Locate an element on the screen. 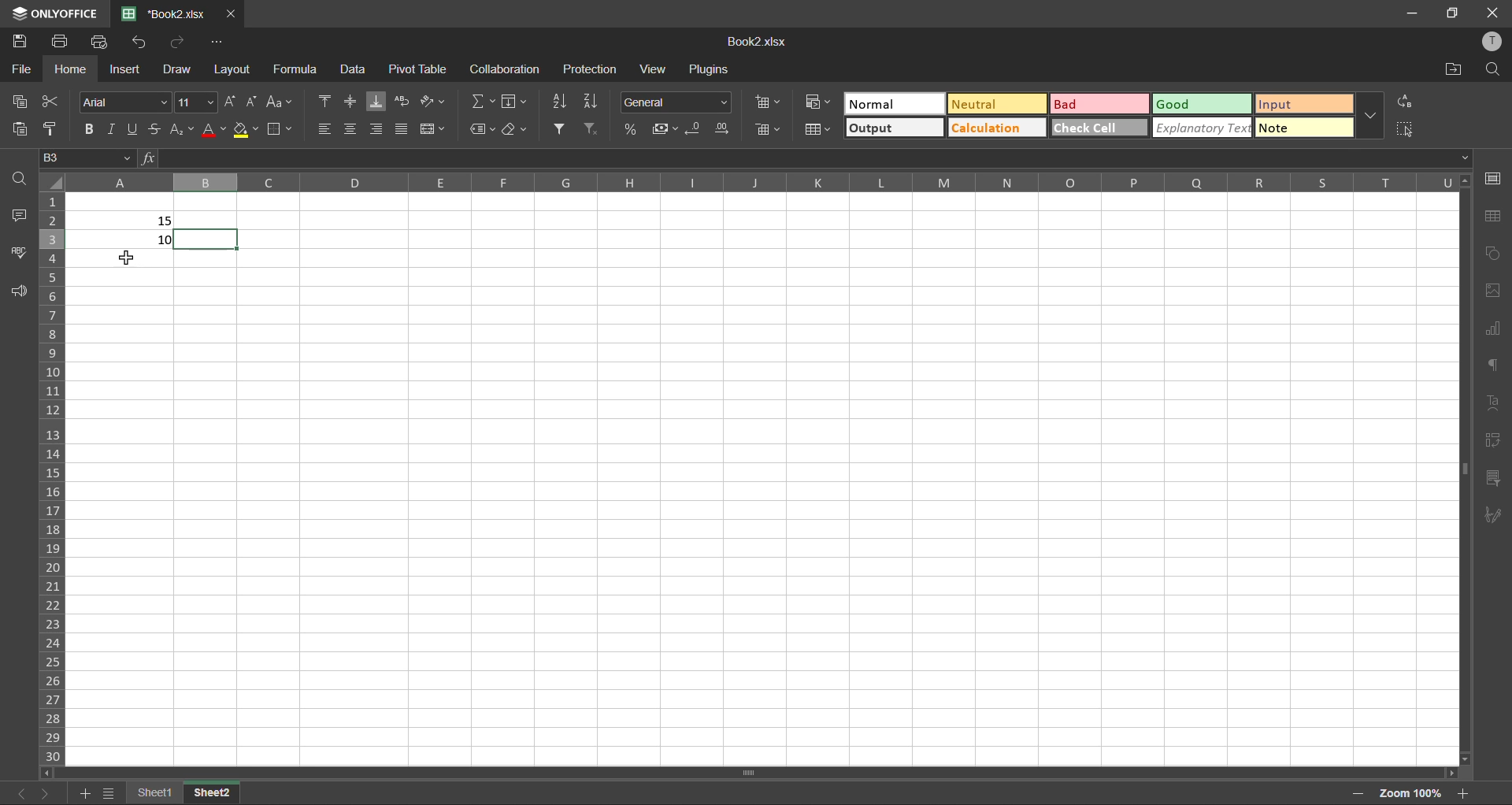  redo is located at coordinates (172, 41).